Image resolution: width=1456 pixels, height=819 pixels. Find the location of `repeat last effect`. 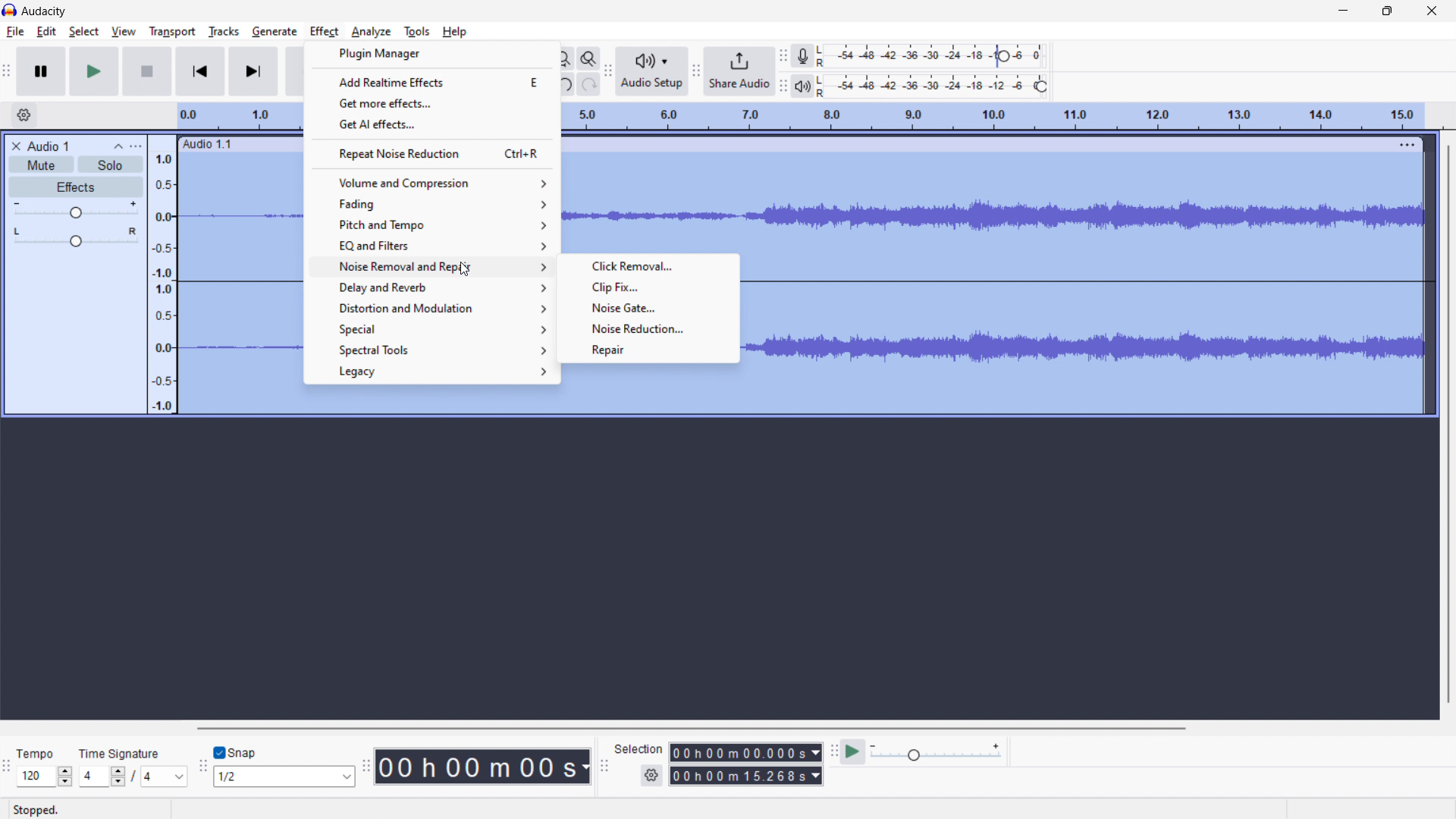

repeat last effect is located at coordinates (430, 153).